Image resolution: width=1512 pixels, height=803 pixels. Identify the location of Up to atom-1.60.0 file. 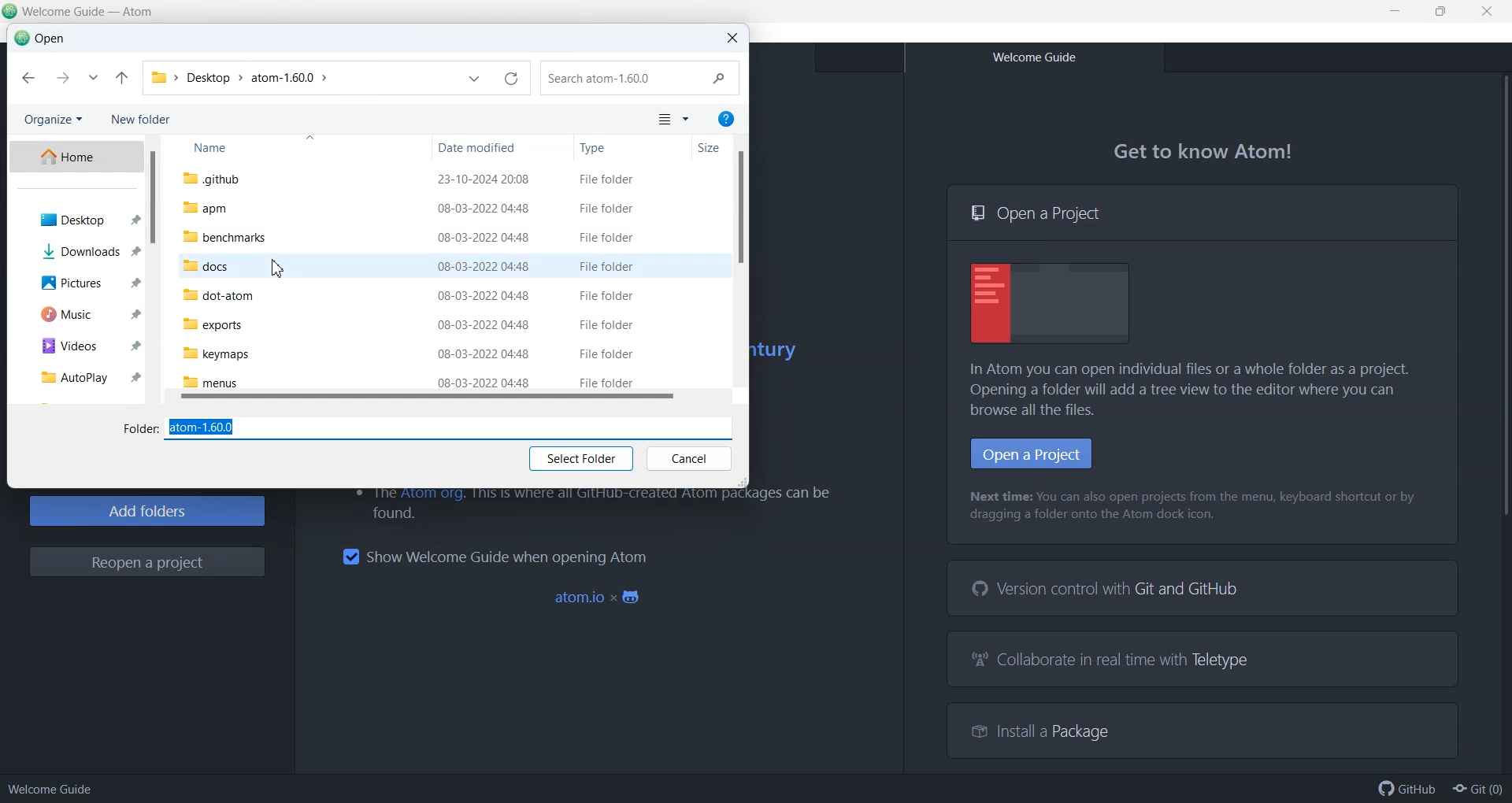
(122, 79).